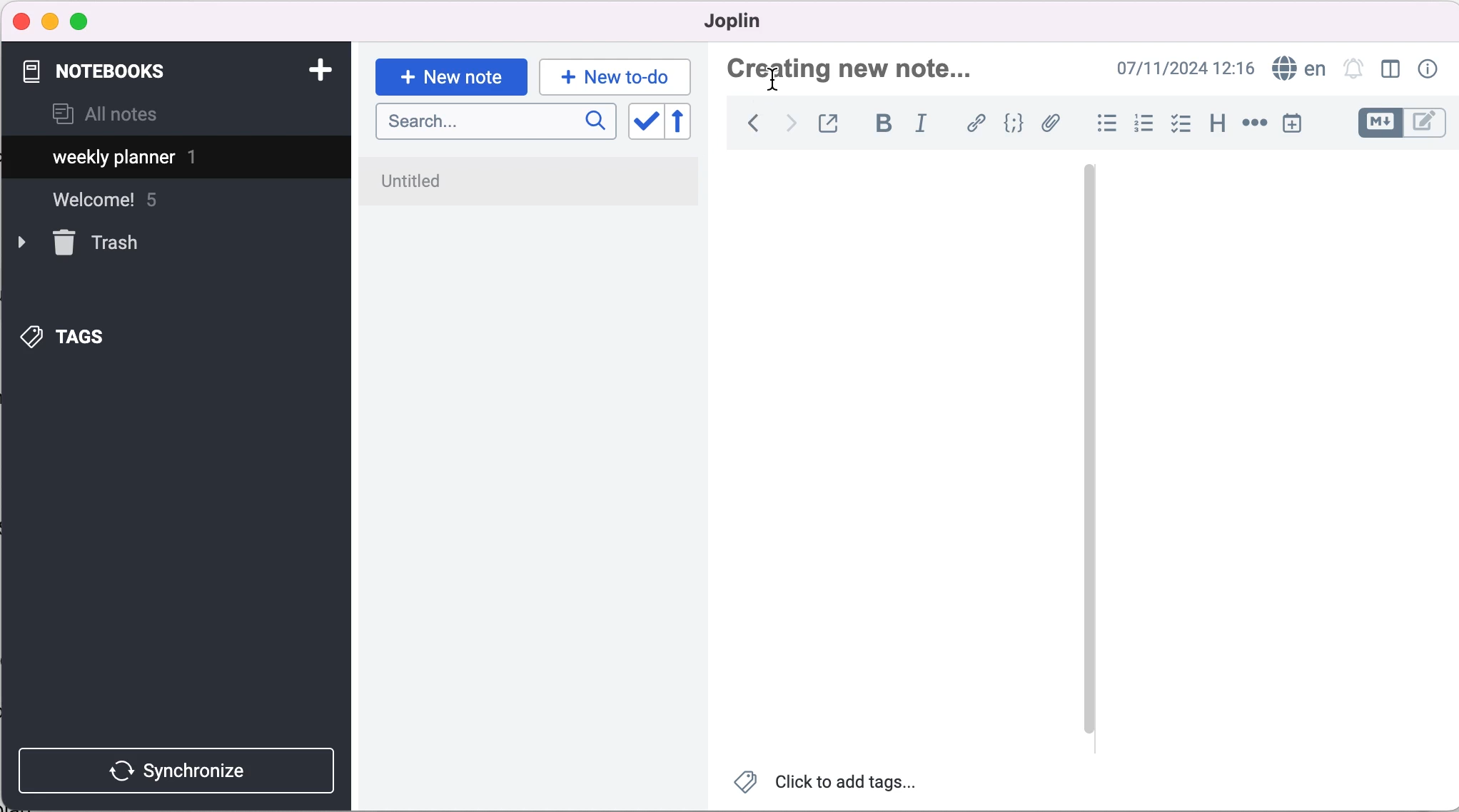 Image resolution: width=1459 pixels, height=812 pixels. What do you see at coordinates (180, 770) in the screenshot?
I see `synchronize` at bounding box center [180, 770].